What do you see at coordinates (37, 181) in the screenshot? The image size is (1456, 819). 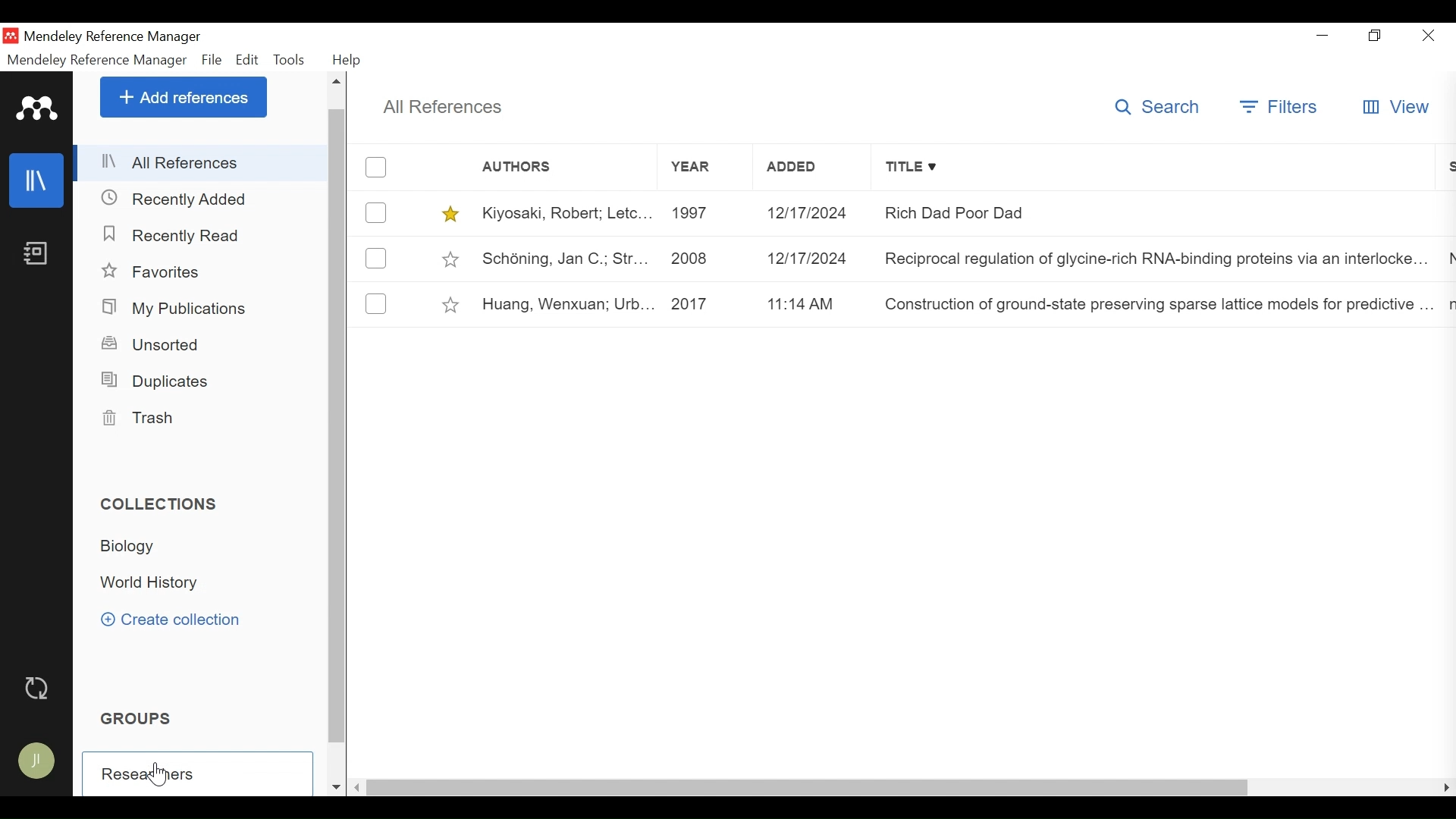 I see `Library` at bounding box center [37, 181].